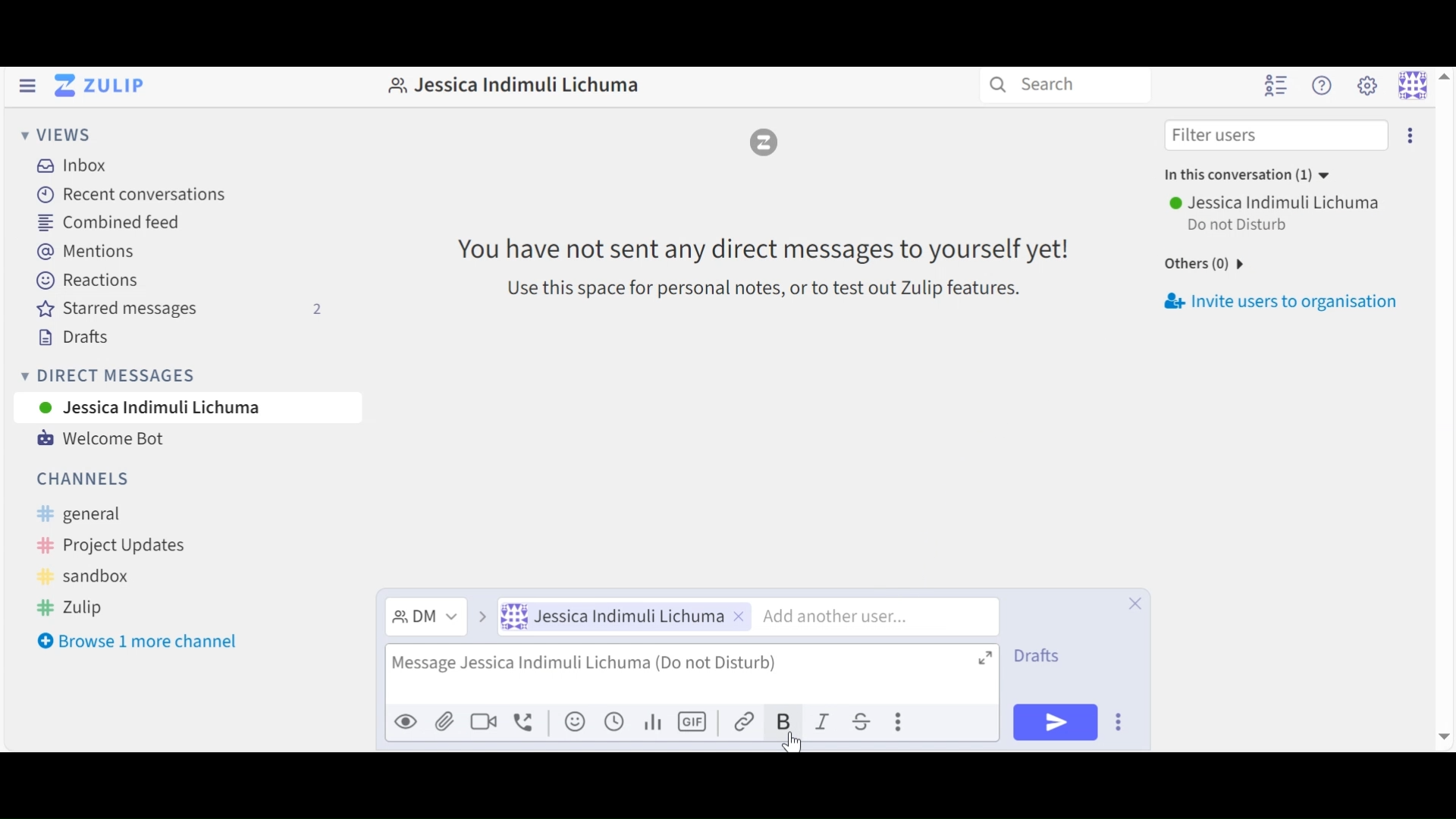  What do you see at coordinates (880, 615) in the screenshot?
I see `Add another user` at bounding box center [880, 615].